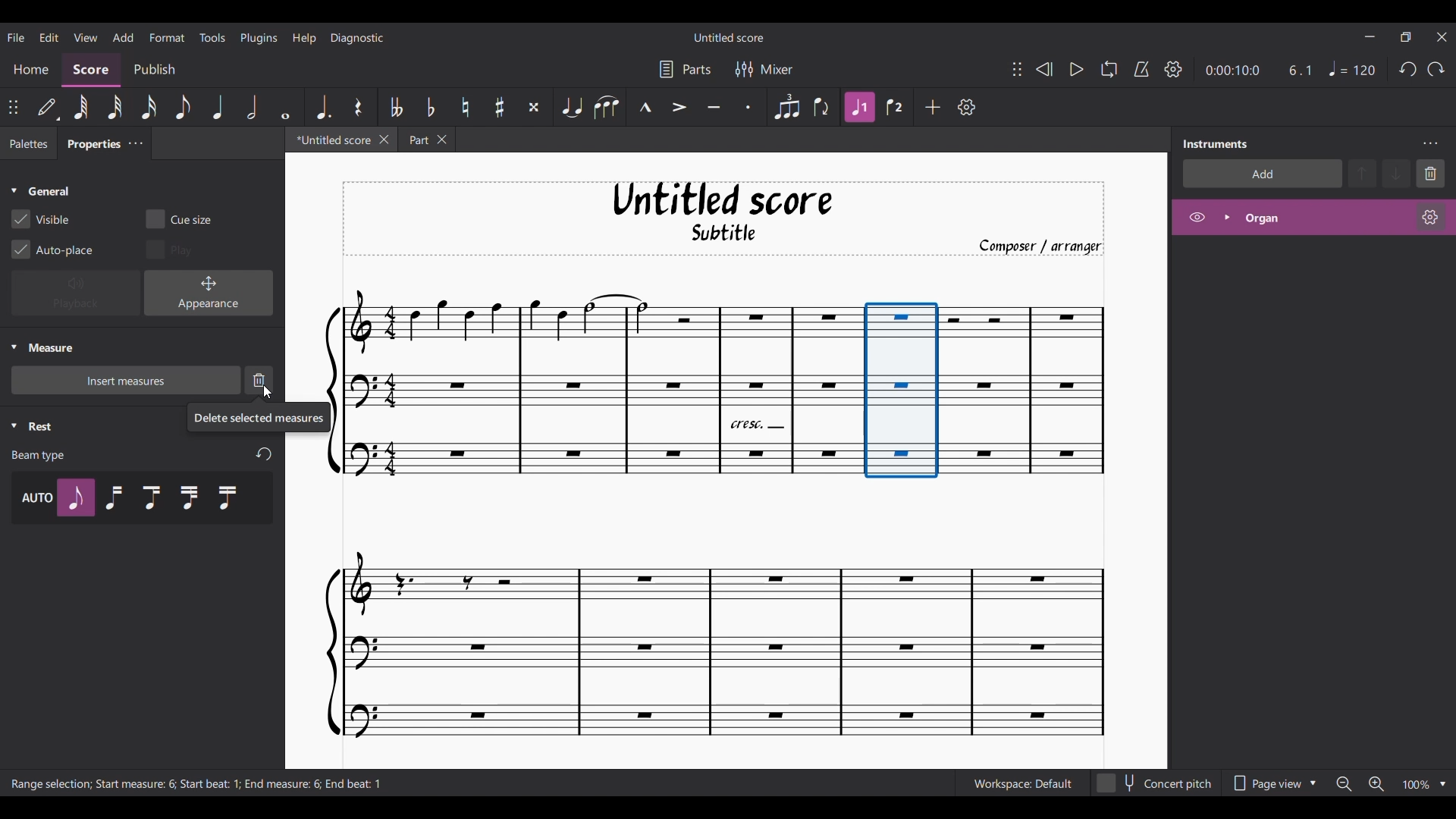 Image resolution: width=1456 pixels, height=819 pixels. What do you see at coordinates (32, 426) in the screenshot?
I see `Collapse Rest` at bounding box center [32, 426].